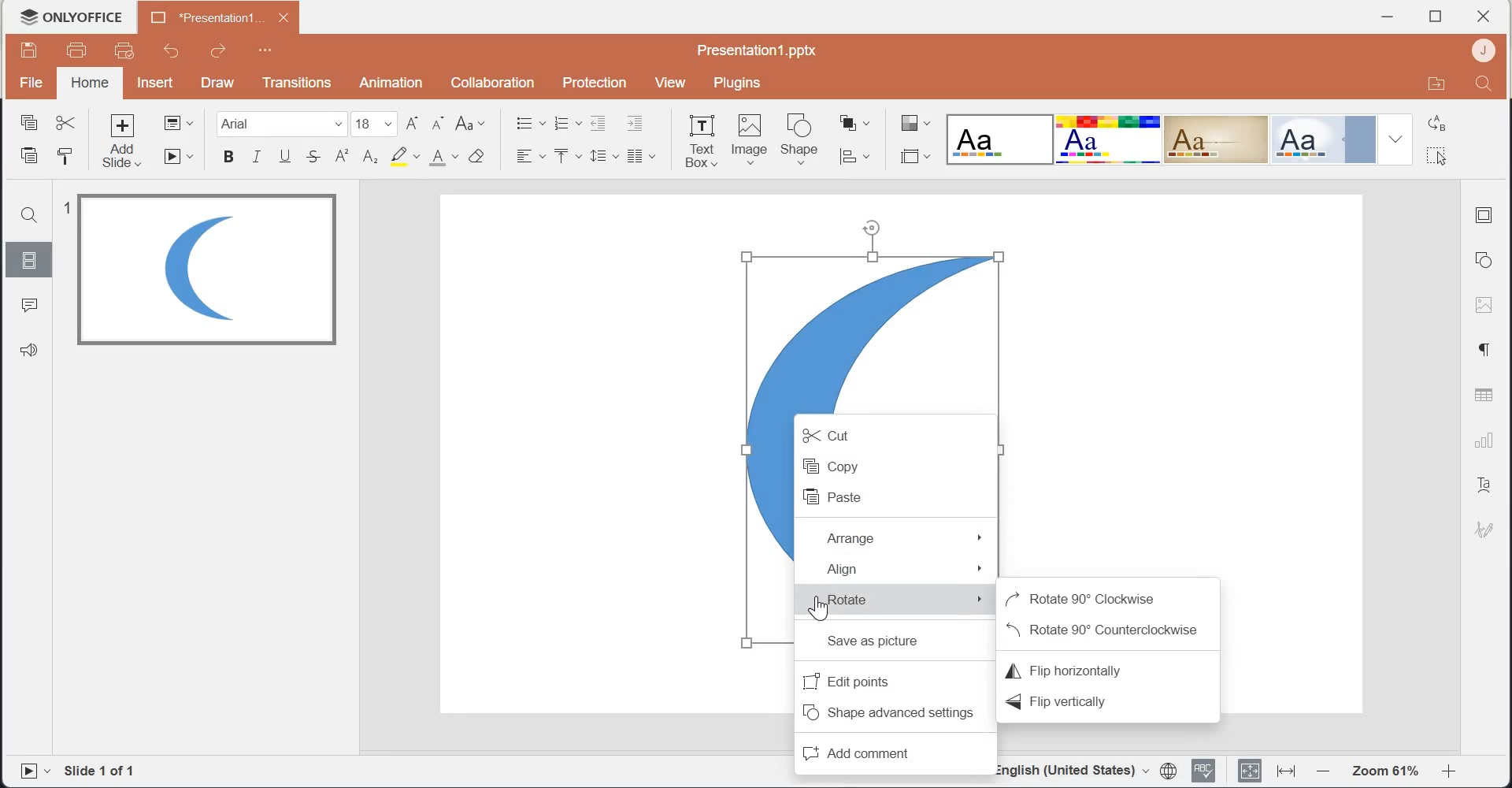 The height and width of the screenshot is (788, 1512). What do you see at coordinates (28, 258) in the screenshot?
I see `Slides` at bounding box center [28, 258].